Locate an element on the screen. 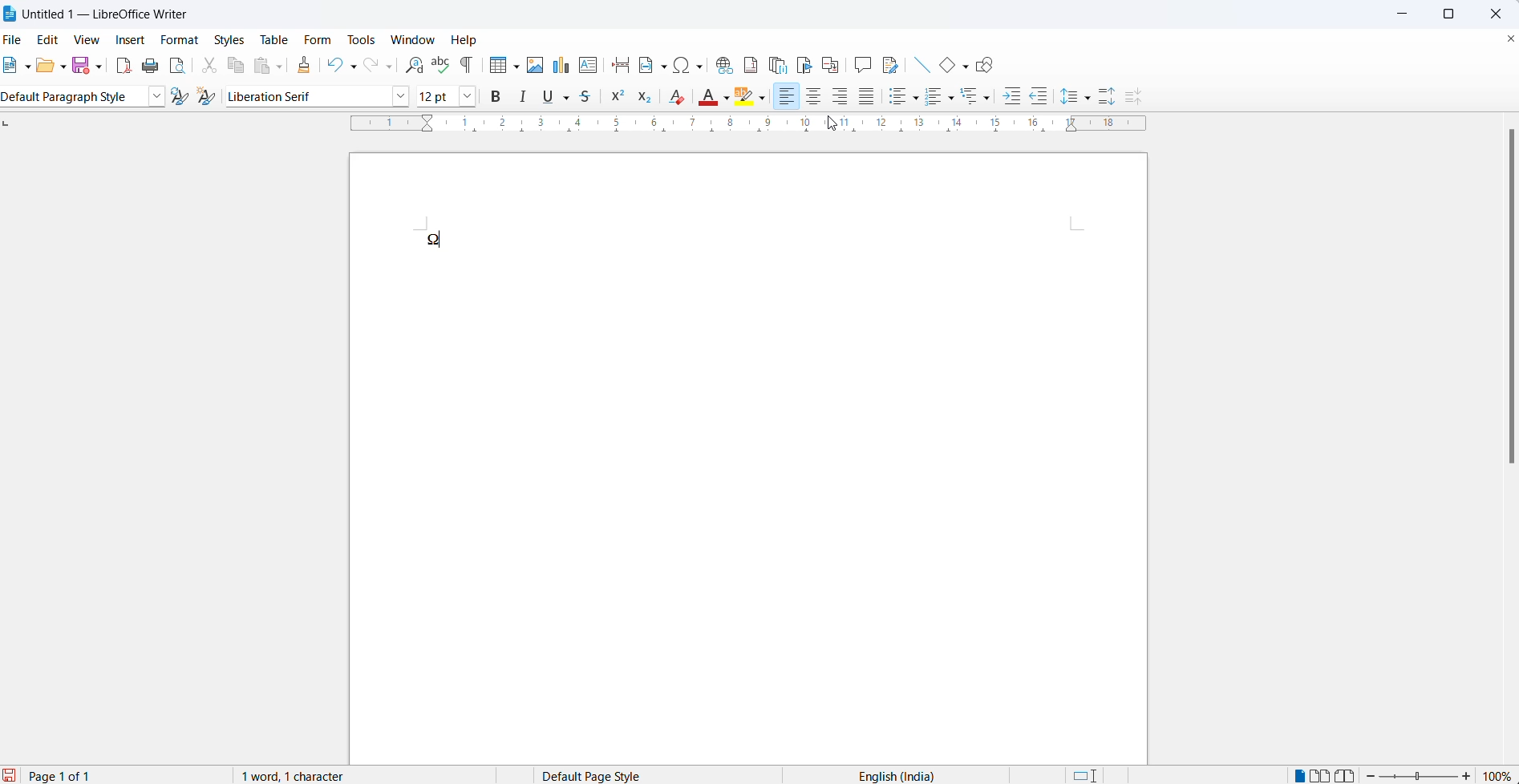 This screenshot has height=784, width=1519. close is located at coordinates (1501, 12).